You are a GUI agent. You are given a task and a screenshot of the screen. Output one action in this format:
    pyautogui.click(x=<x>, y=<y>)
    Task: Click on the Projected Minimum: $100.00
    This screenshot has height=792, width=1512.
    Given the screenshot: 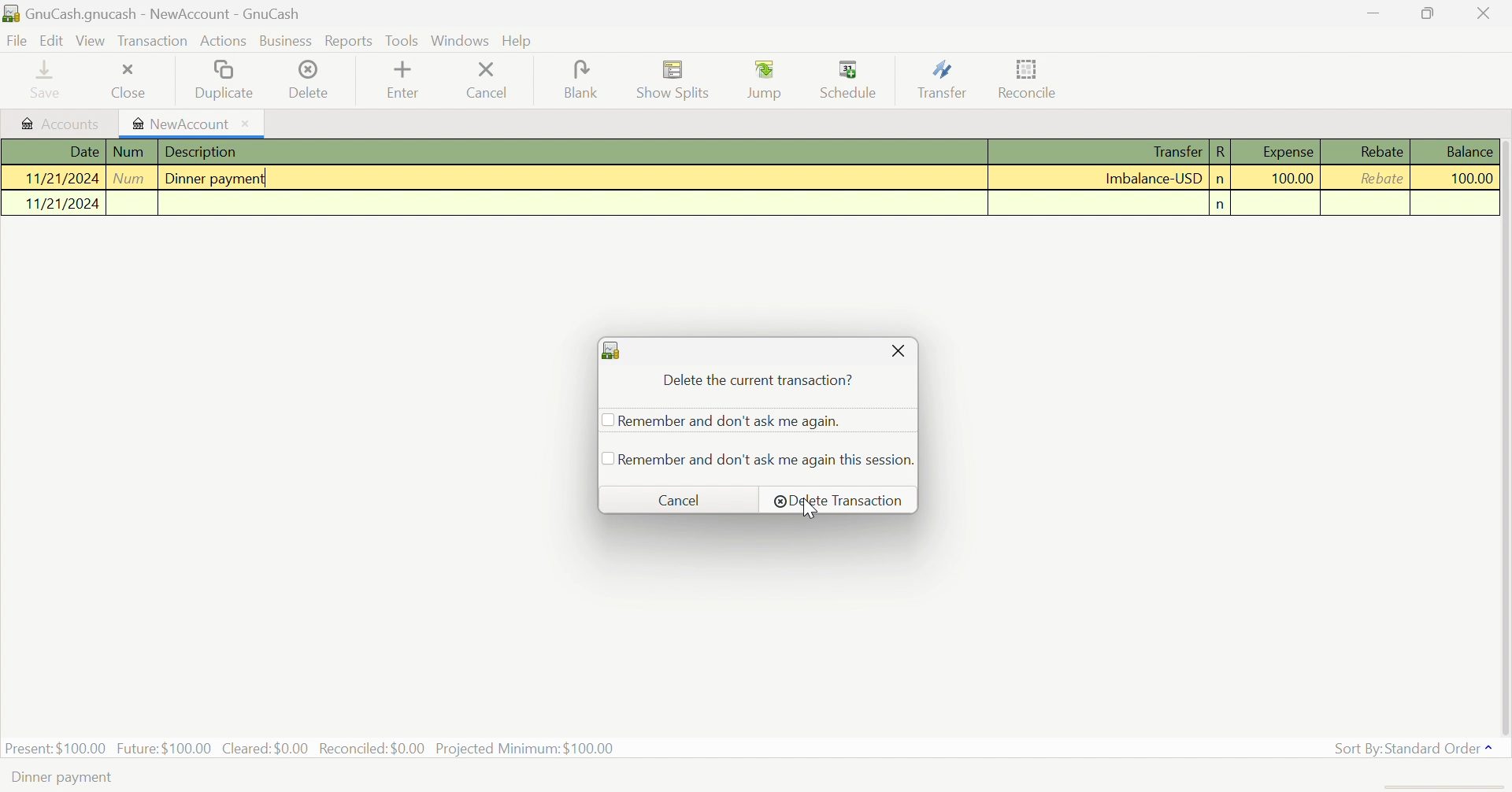 What is the action you would take?
    pyautogui.click(x=531, y=749)
    